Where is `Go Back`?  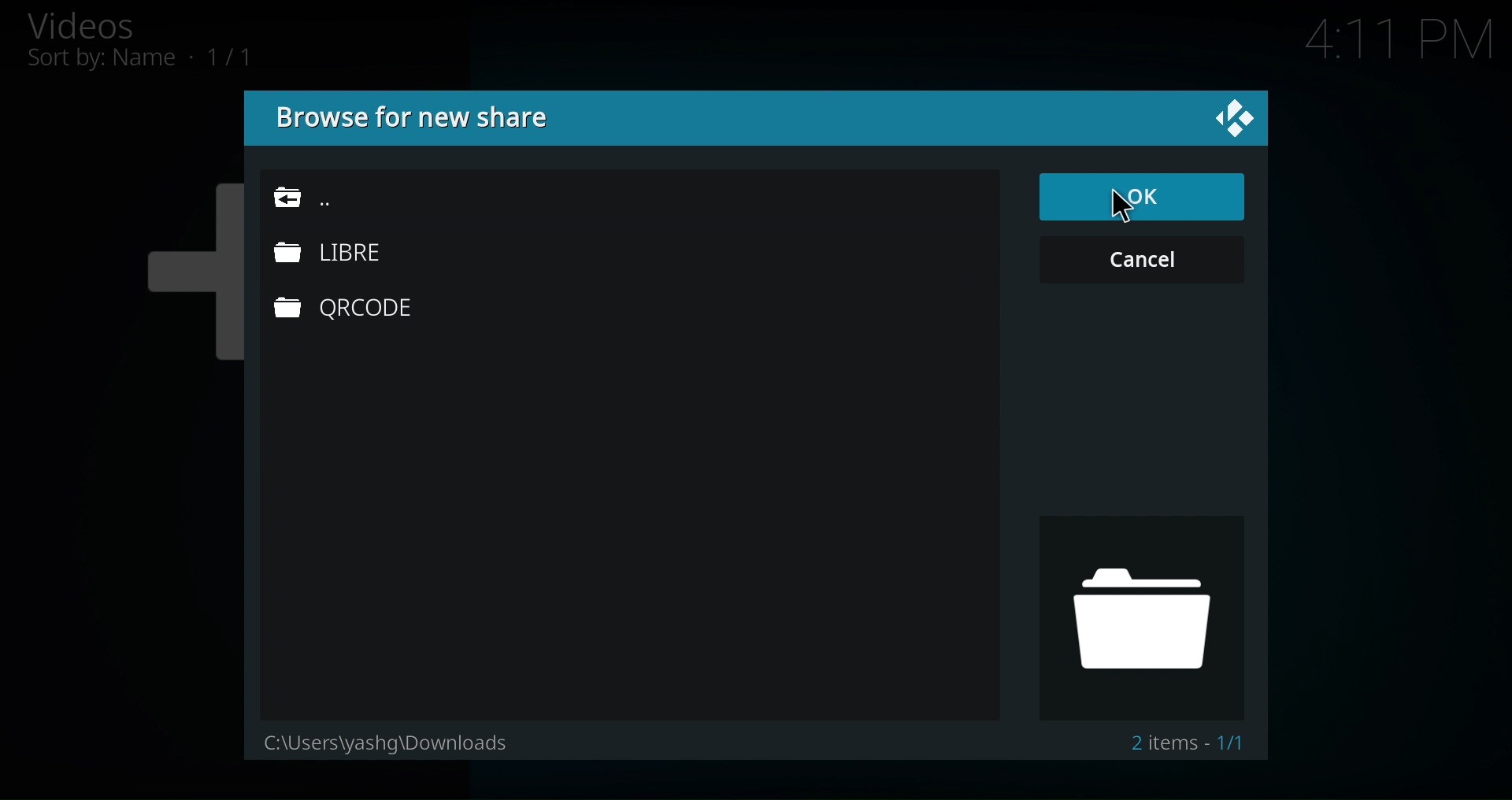
Go Back is located at coordinates (310, 199).